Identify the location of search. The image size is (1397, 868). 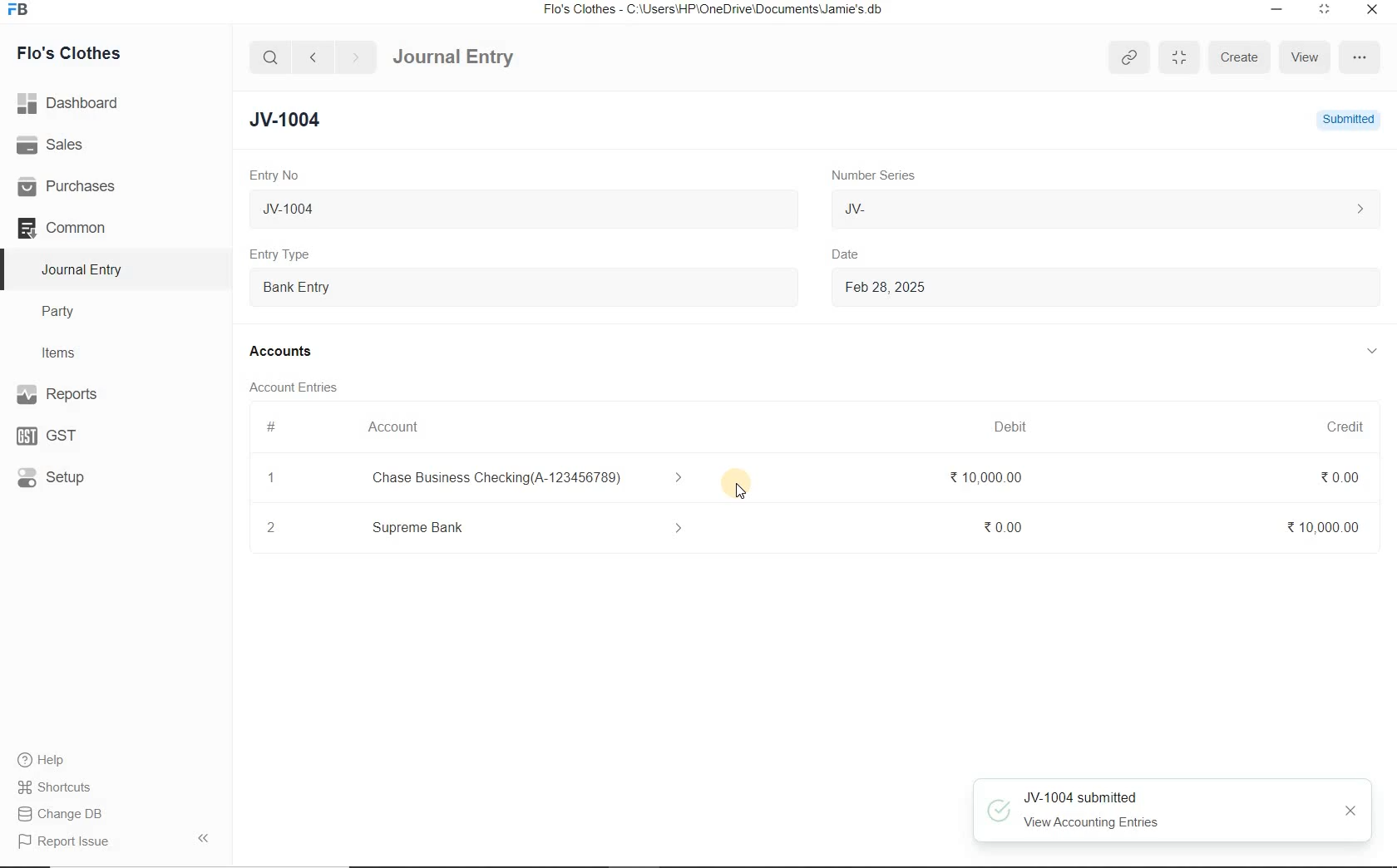
(271, 57).